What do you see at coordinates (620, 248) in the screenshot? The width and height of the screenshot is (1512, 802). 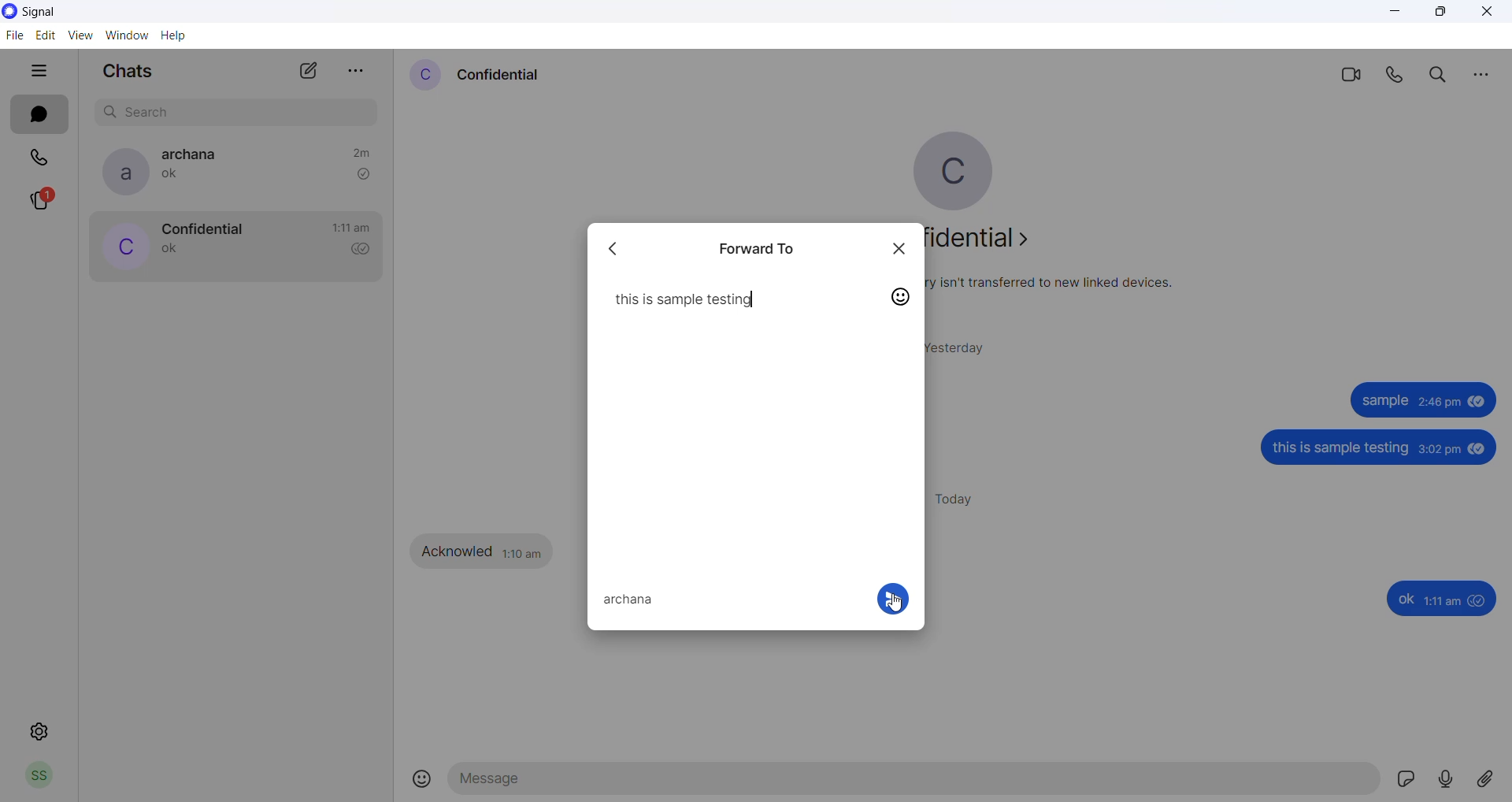 I see `go back ` at bounding box center [620, 248].